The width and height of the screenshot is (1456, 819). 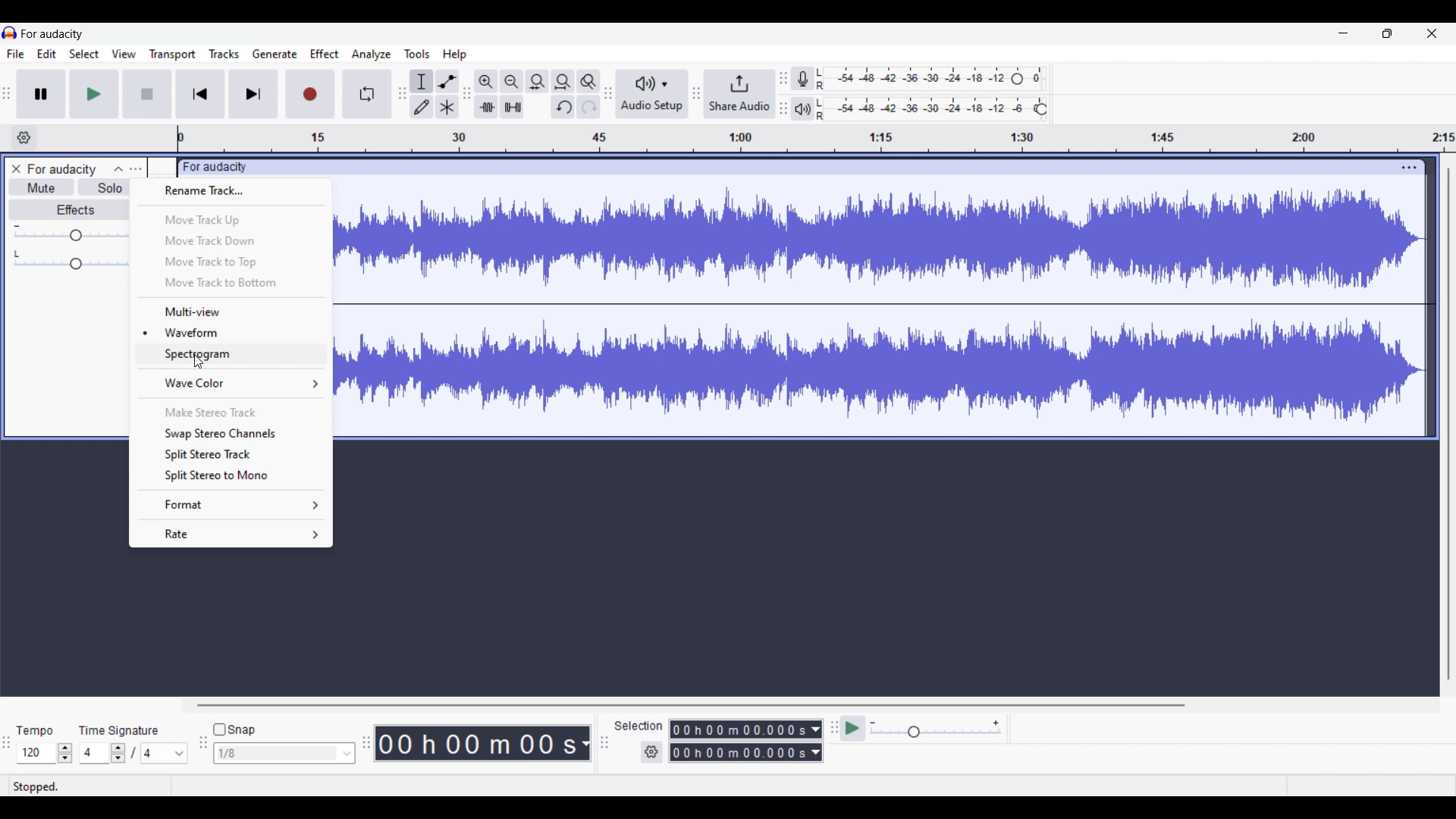 What do you see at coordinates (231, 434) in the screenshot?
I see `Swap stereo channels` at bounding box center [231, 434].